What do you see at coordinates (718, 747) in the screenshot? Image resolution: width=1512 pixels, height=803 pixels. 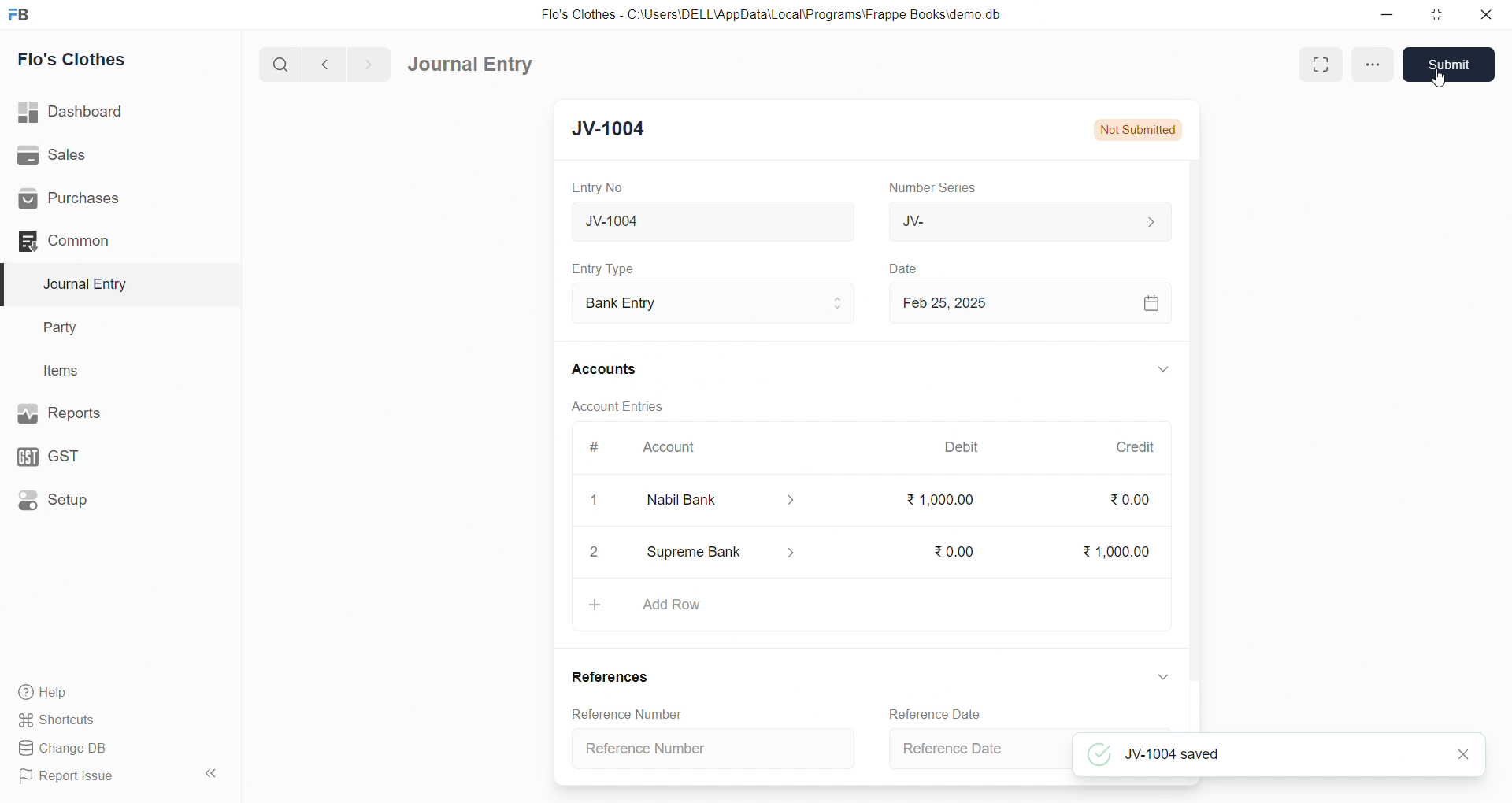 I see `Reference Number` at bounding box center [718, 747].